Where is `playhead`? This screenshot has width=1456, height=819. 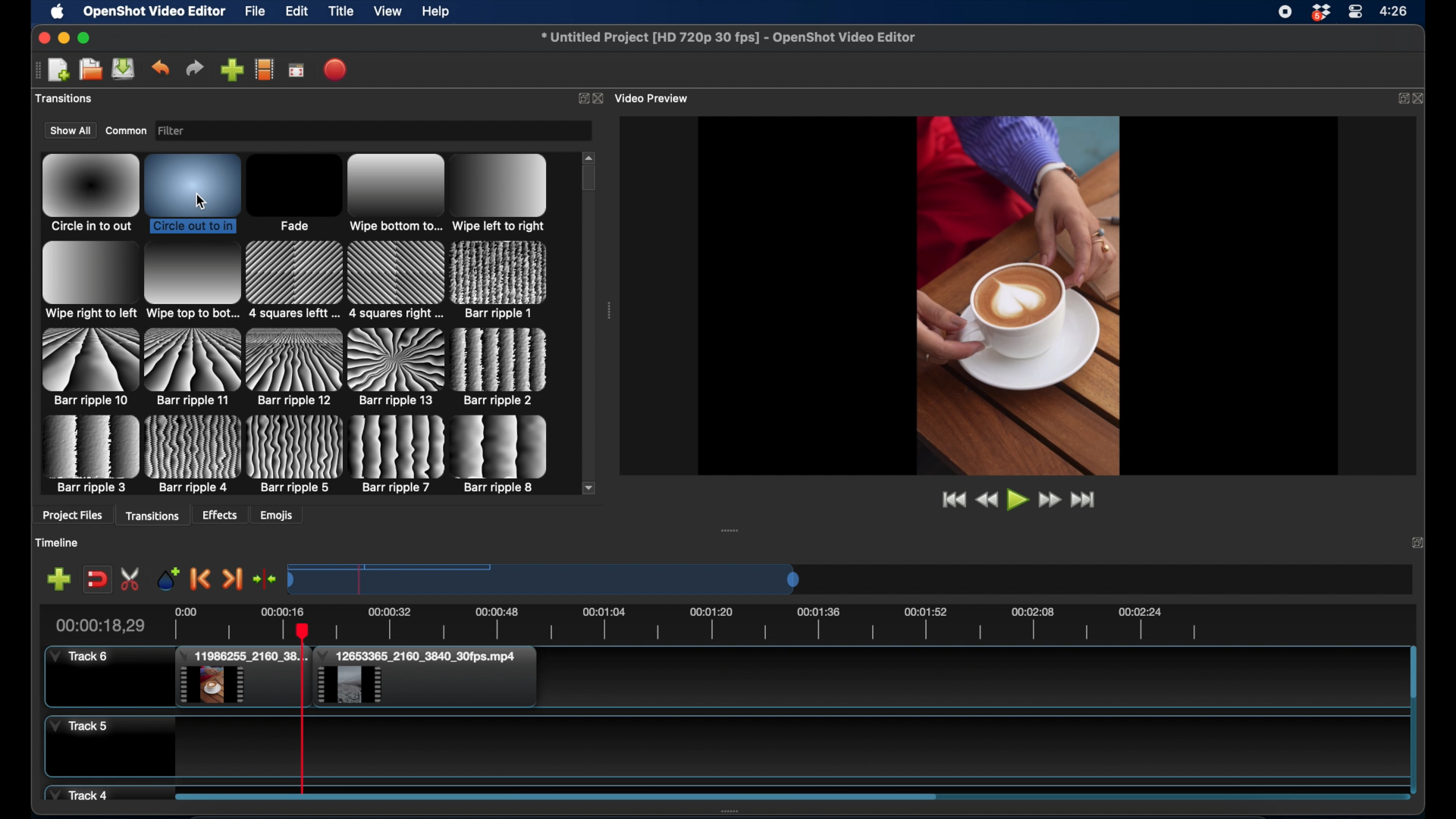 playhead is located at coordinates (303, 713).